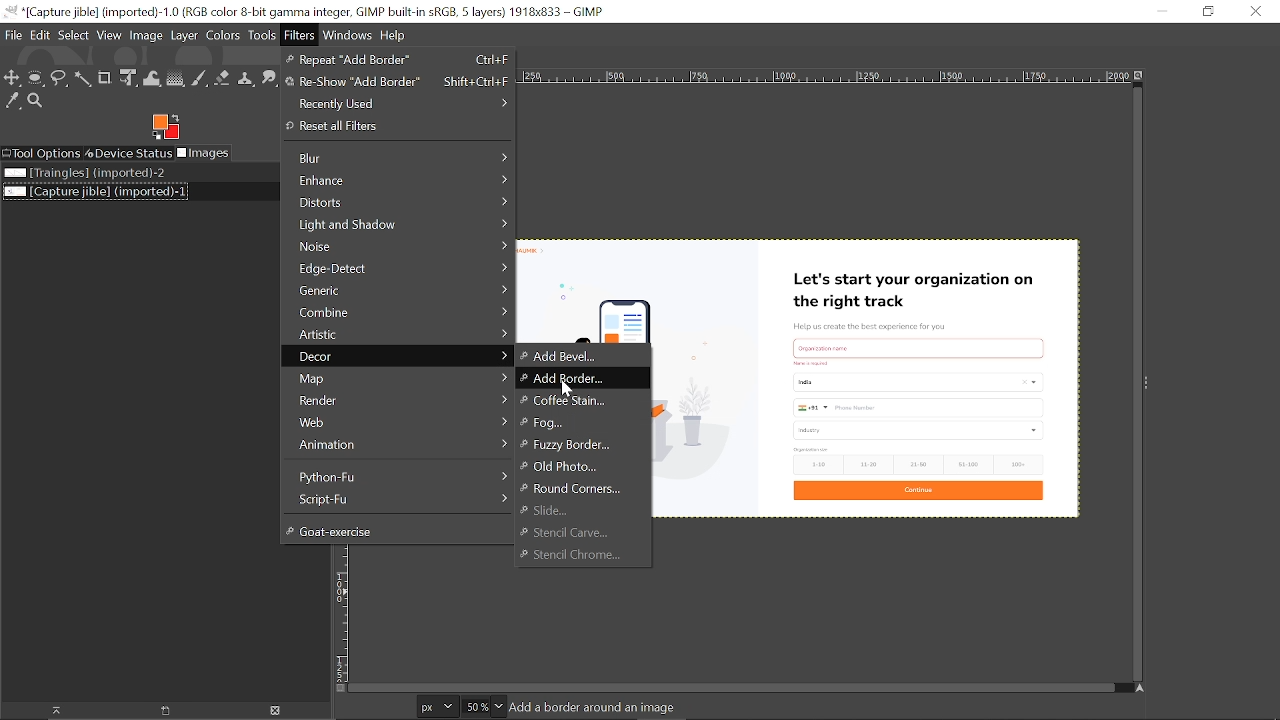  Describe the element at coordinates (393, 35) in the screenshot. I see `Help` at that location.